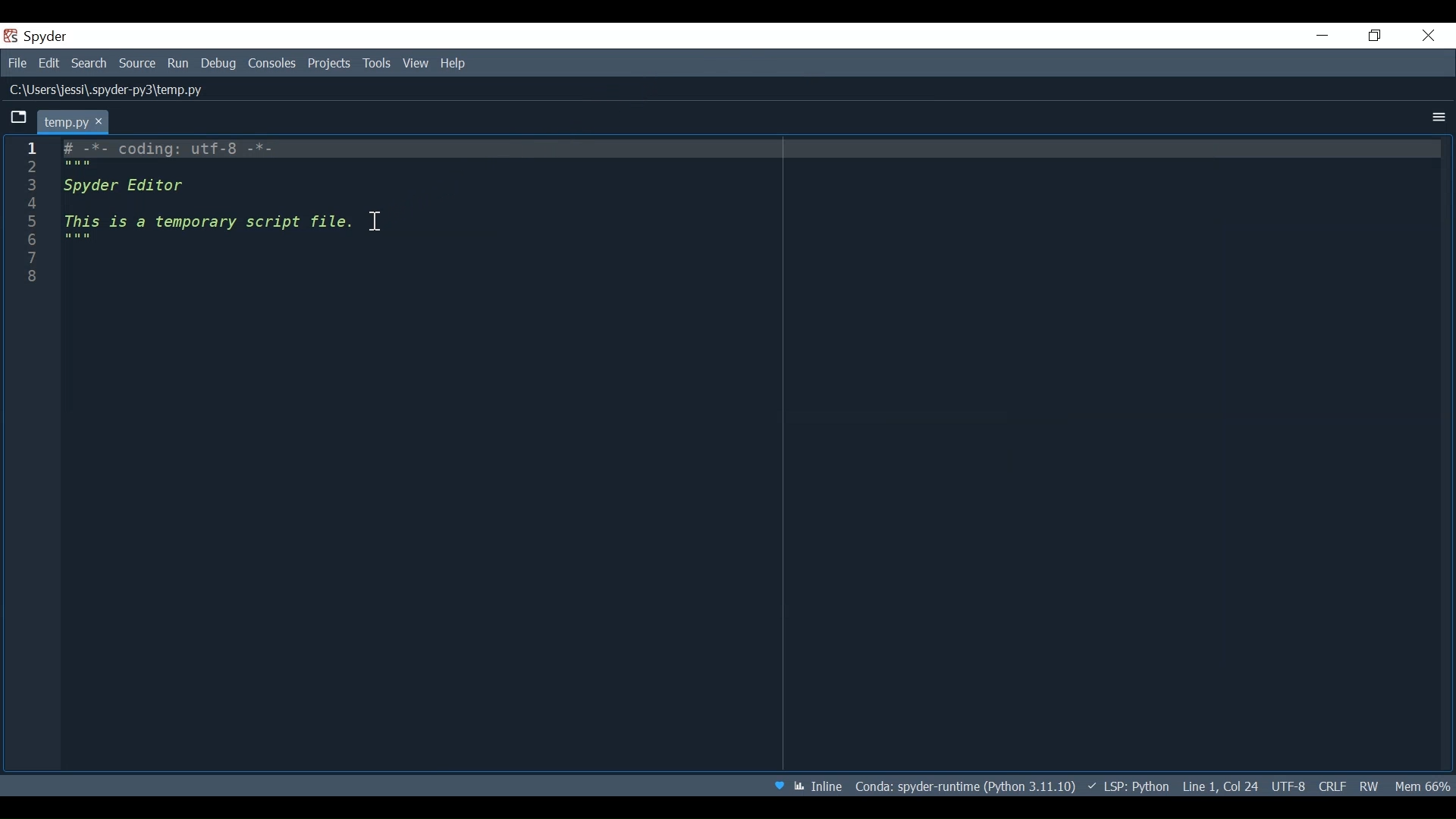 This screenshot has height=819, width=1456. Describe the element at coordinates (755, 456) in the screenshot. I see `# -*- coding: utf-8 -*- """ Spyder Editor  This is a temporary script file. """` at that location.